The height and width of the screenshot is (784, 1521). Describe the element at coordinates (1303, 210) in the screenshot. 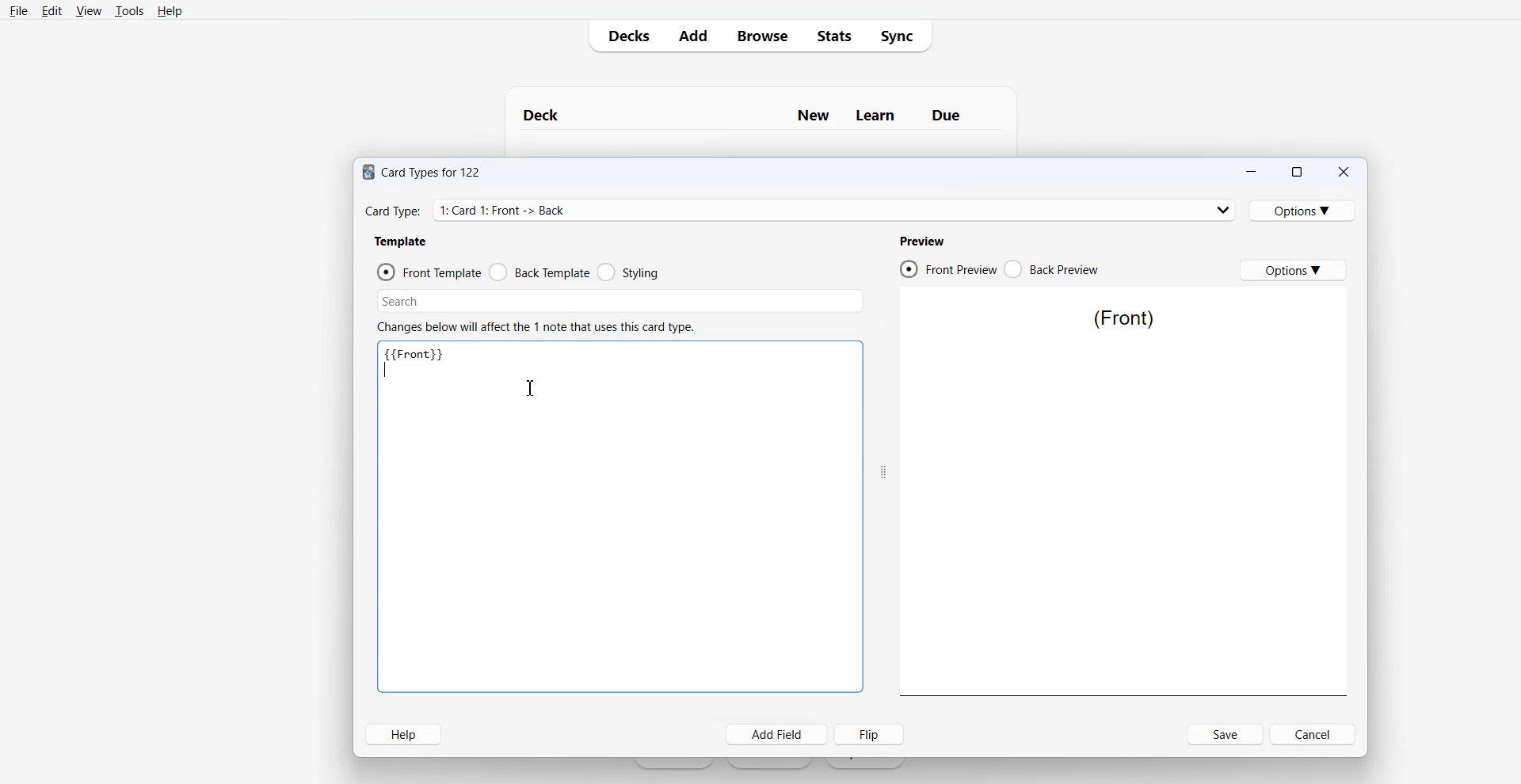

I see `Options` at that location.